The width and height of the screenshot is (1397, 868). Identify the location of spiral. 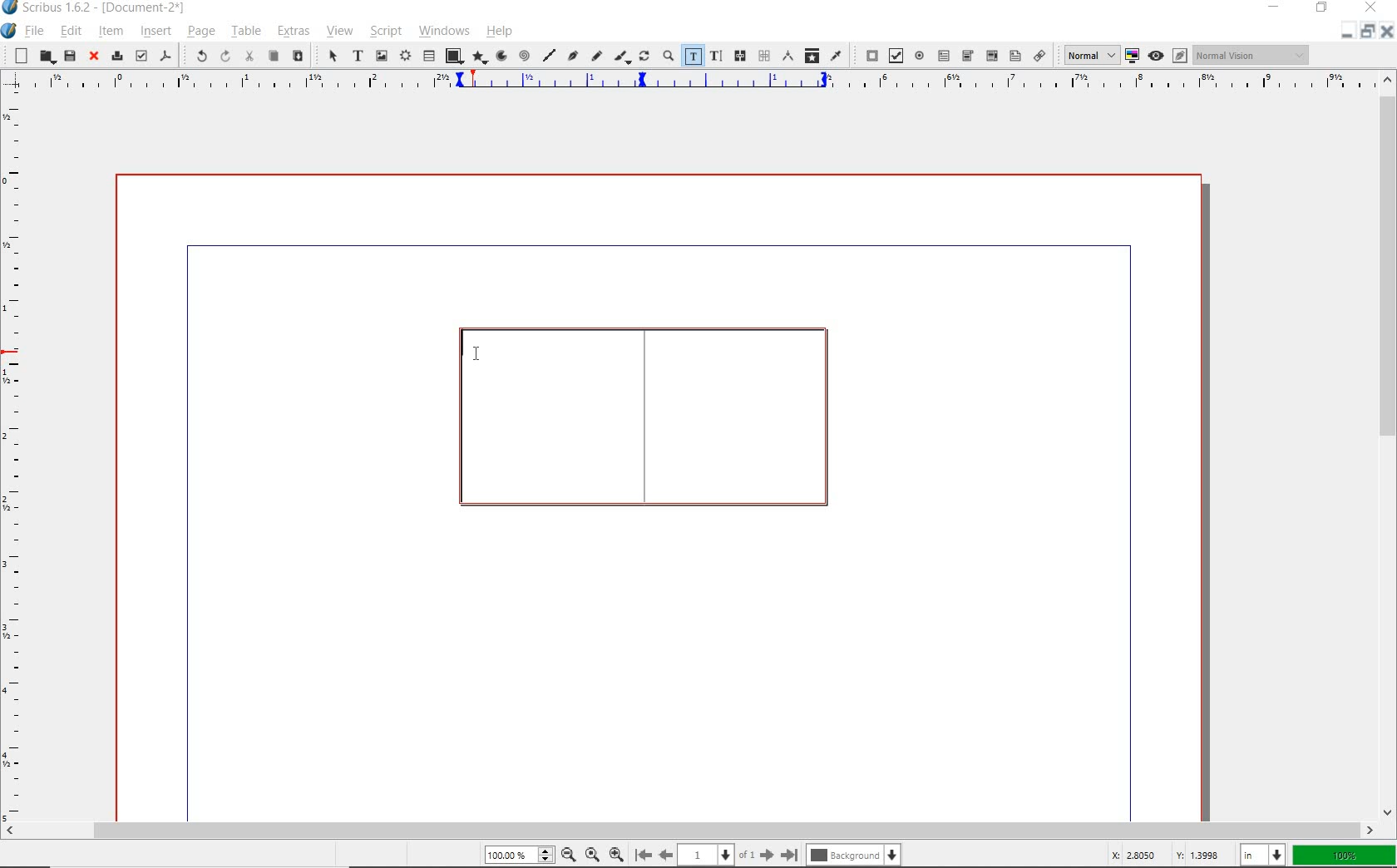
(524, 55).